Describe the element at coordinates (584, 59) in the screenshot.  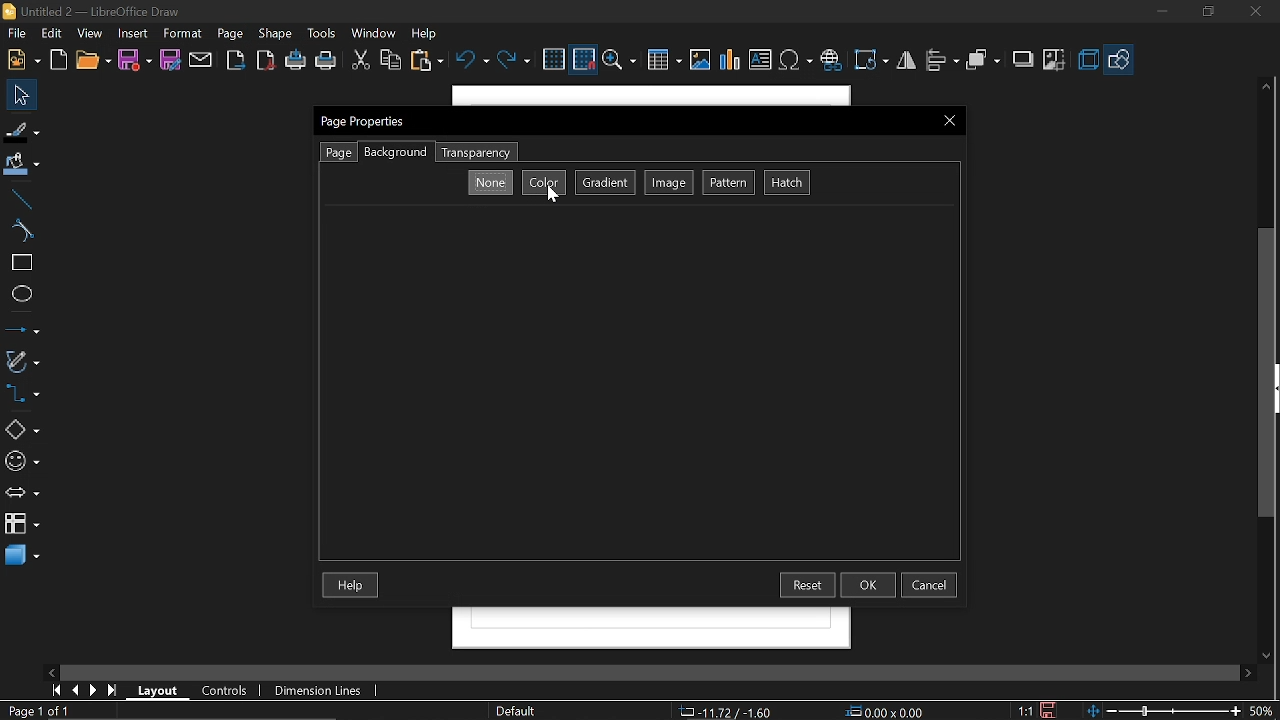
I see `Snap to grid` at that location.